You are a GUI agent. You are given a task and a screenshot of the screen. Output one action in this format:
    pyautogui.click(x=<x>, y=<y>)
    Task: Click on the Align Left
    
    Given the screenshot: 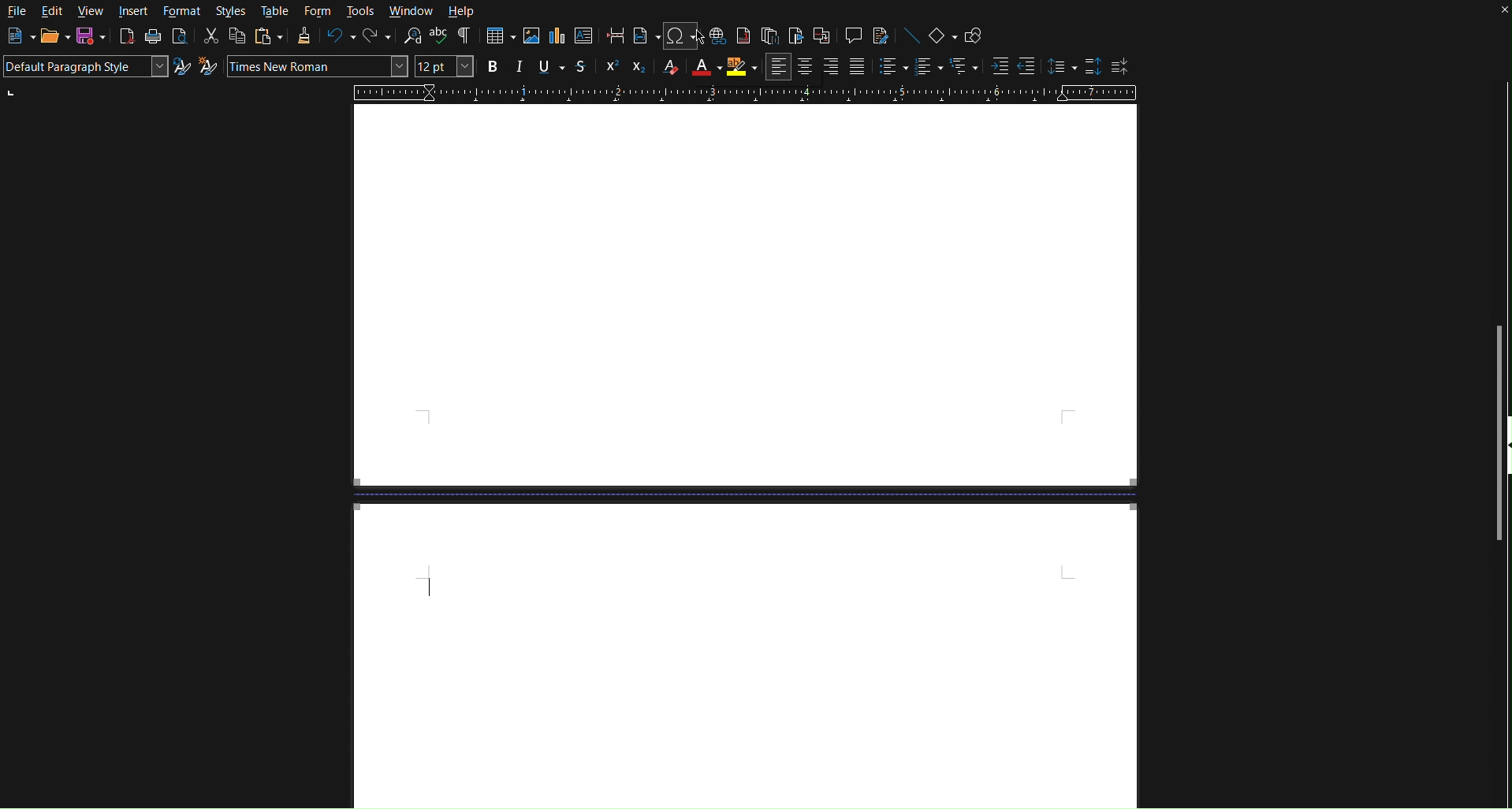 What is the action you would take?
    pyautogui.click(x=779, y=67)
    